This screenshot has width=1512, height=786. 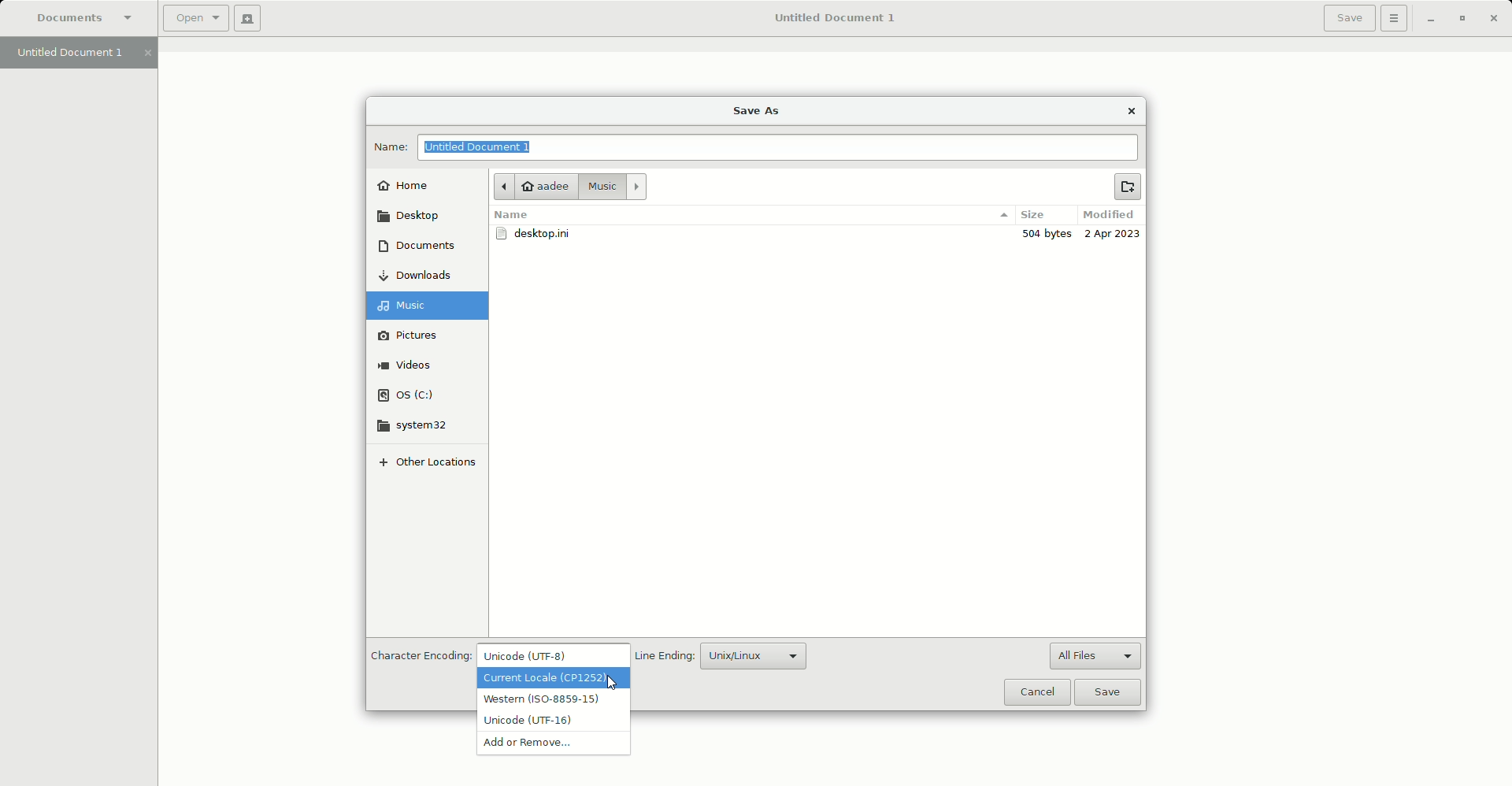 I want to click on New, so click(x=245, y=20).